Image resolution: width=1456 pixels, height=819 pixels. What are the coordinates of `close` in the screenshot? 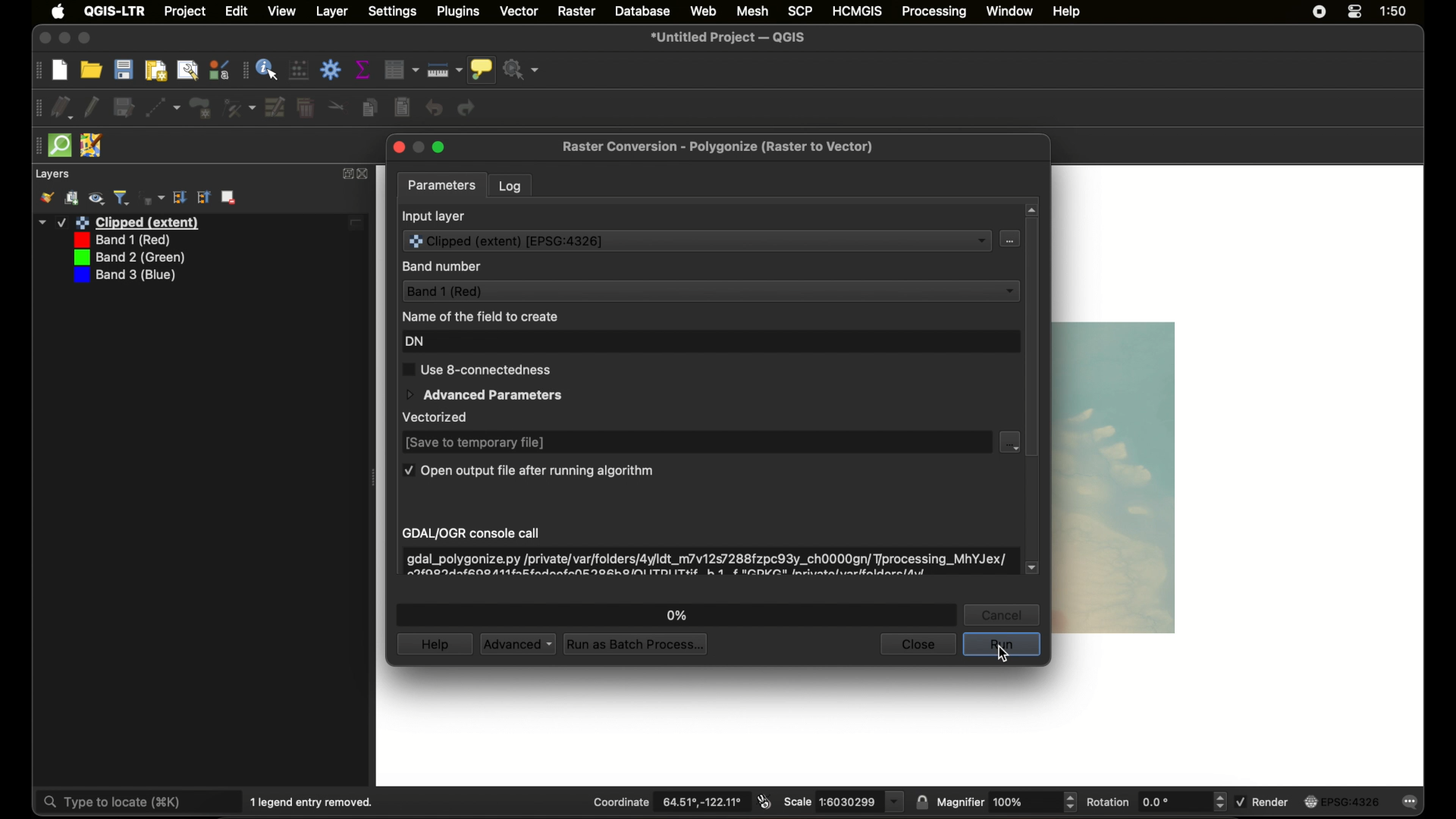 It's located at (43, 39).